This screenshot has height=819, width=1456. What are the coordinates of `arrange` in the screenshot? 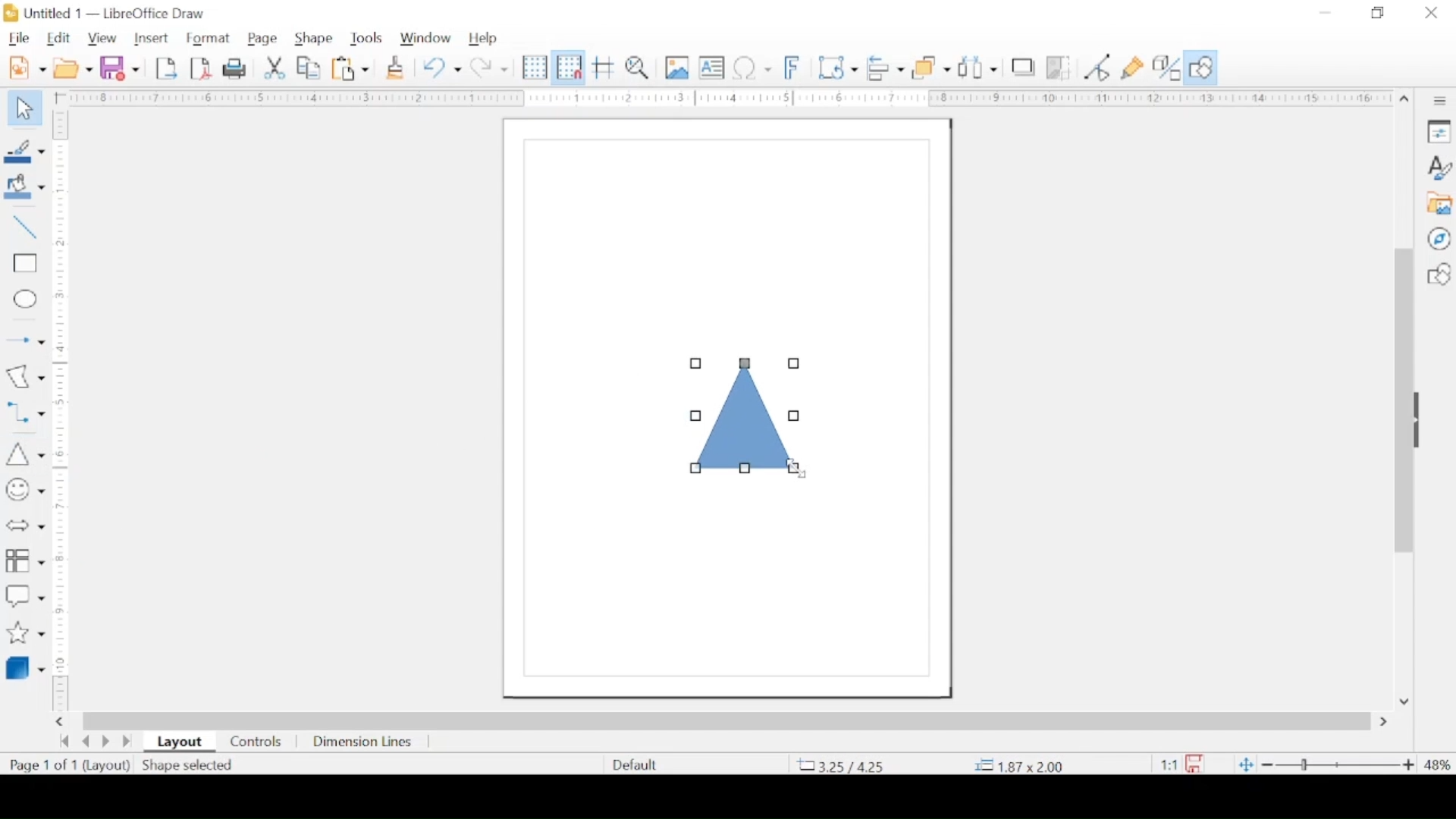 It's located at (933, 67).